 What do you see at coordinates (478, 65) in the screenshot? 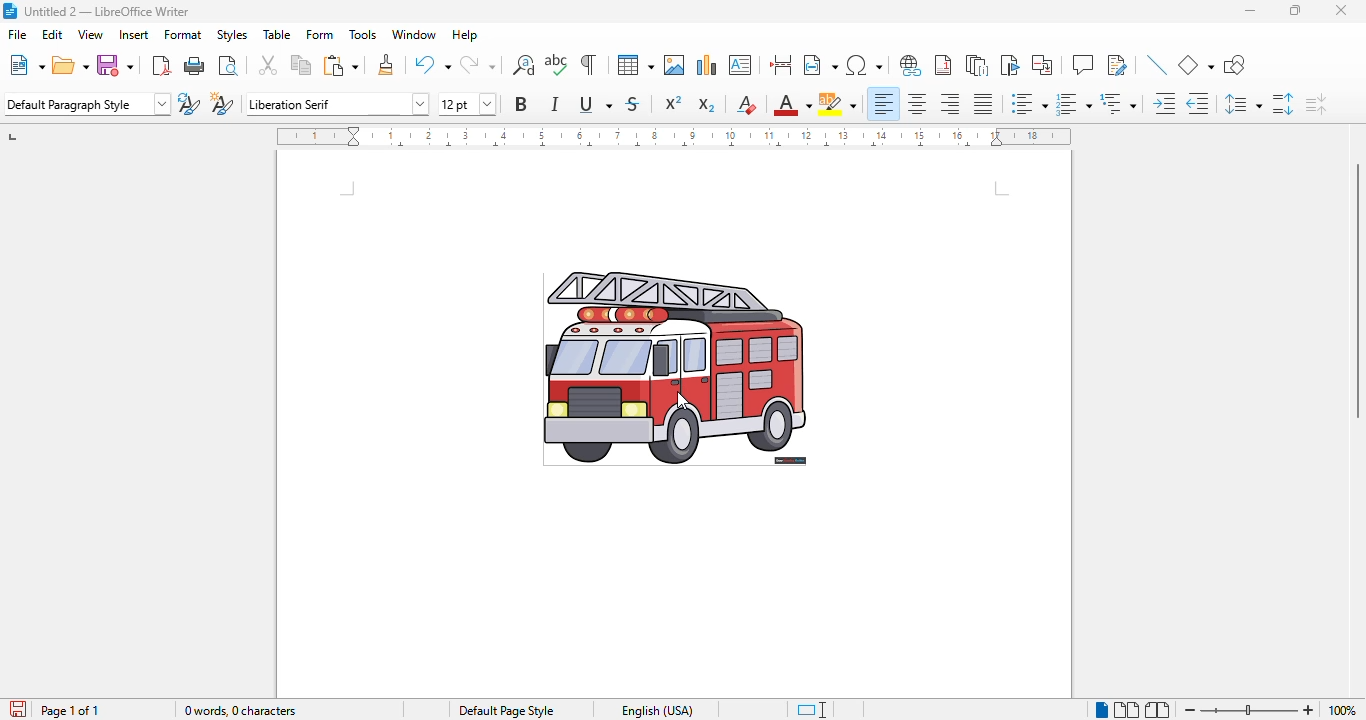
I see `redo` at bounding box center [478, 65].